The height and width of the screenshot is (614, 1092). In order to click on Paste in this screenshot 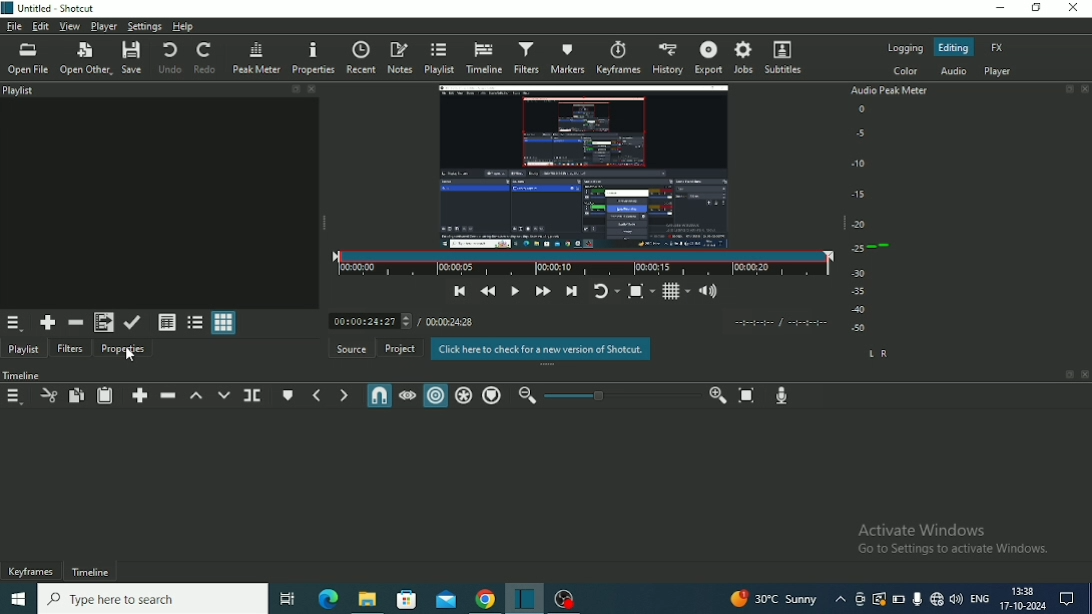, I will do `click(104, 396)`.